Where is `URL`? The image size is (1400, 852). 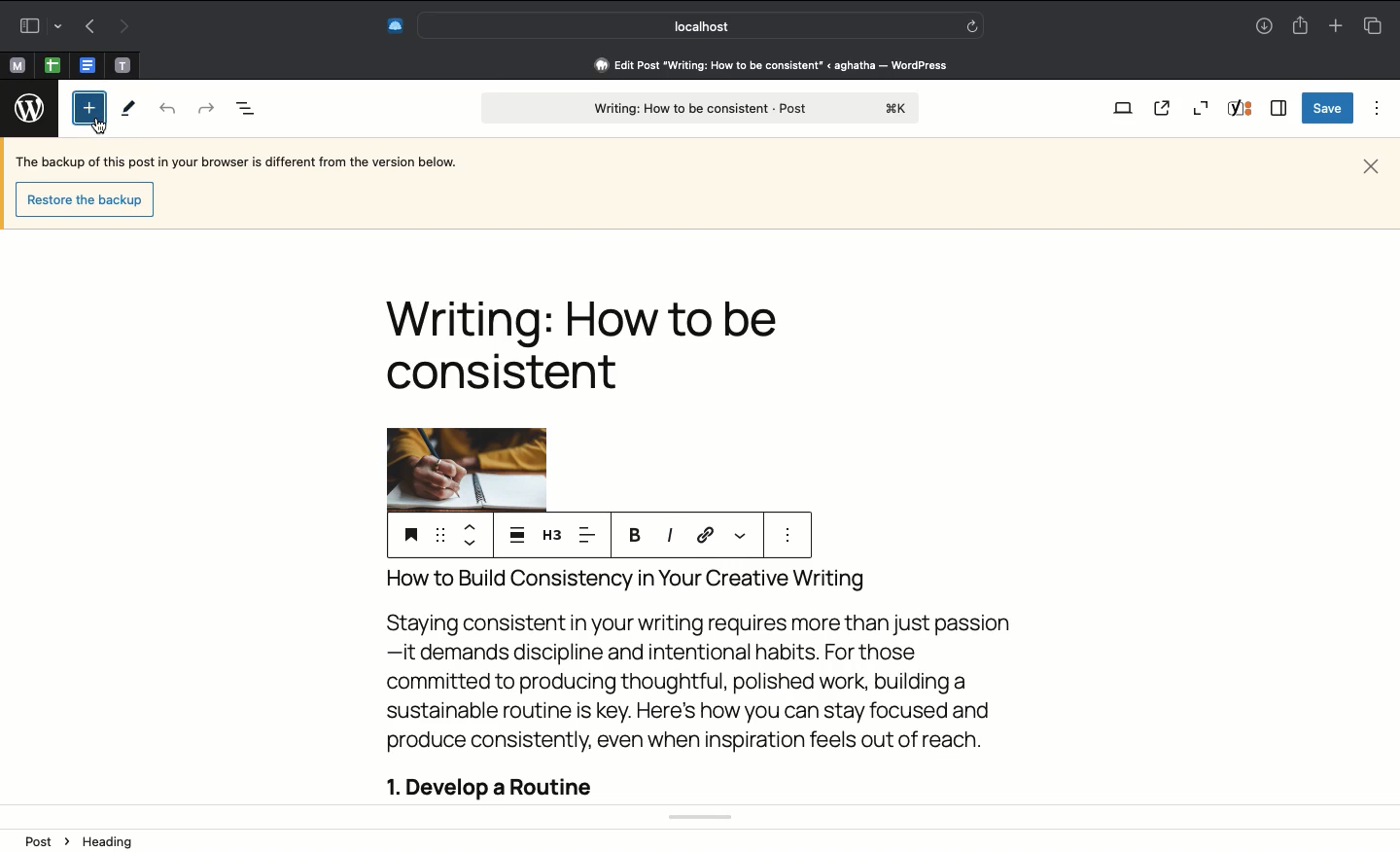
URL is located at coordinates (706, 535).